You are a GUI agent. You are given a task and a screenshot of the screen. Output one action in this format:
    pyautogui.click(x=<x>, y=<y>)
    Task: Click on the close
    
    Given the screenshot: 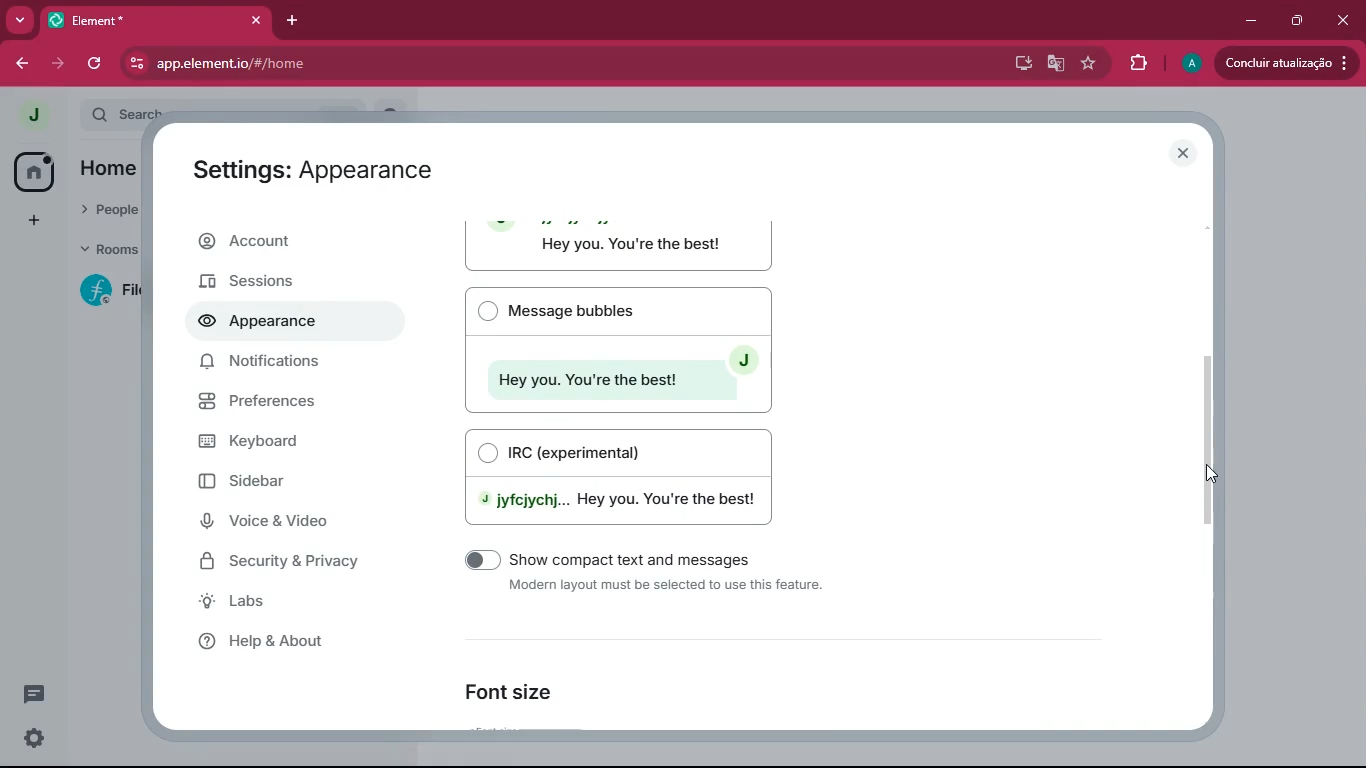 What is the action you would take?
    pyautogui.click(x=1341, y=20)
    